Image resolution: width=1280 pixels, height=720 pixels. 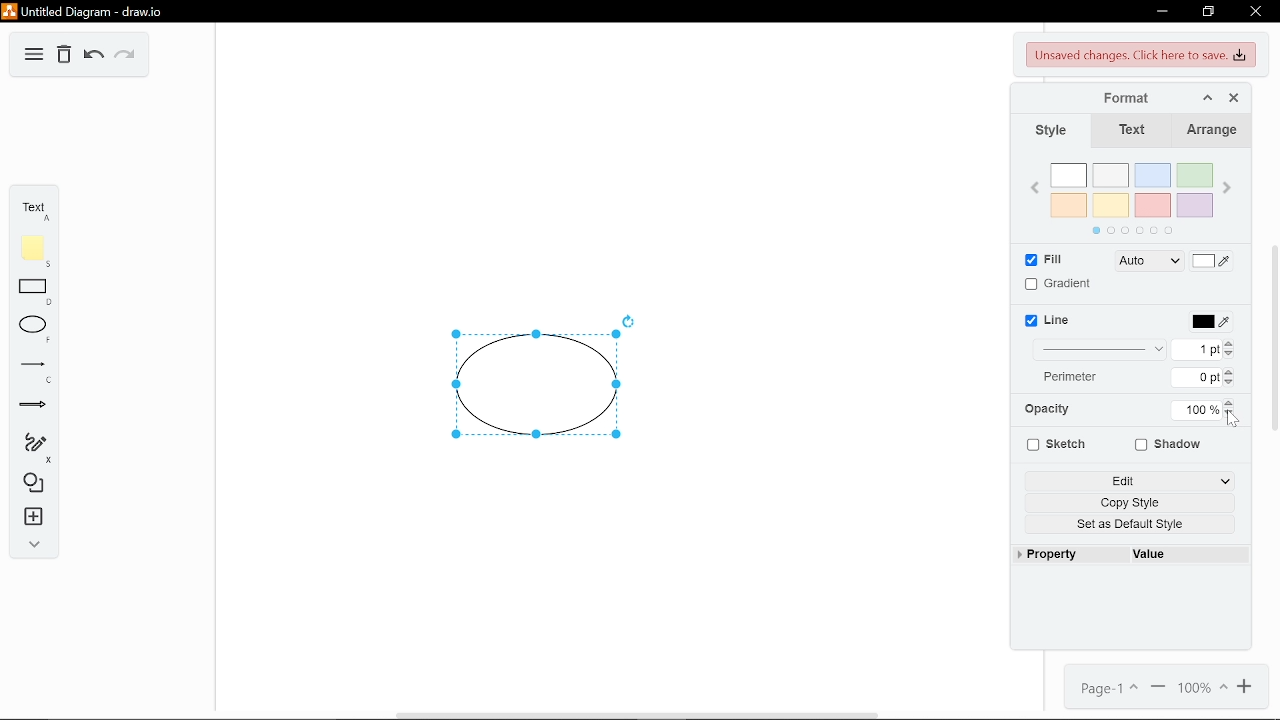 What do you see at coordinates (1060, 284) in the screenshot?
I see `Gradient` at bounding box center [1060, 284].